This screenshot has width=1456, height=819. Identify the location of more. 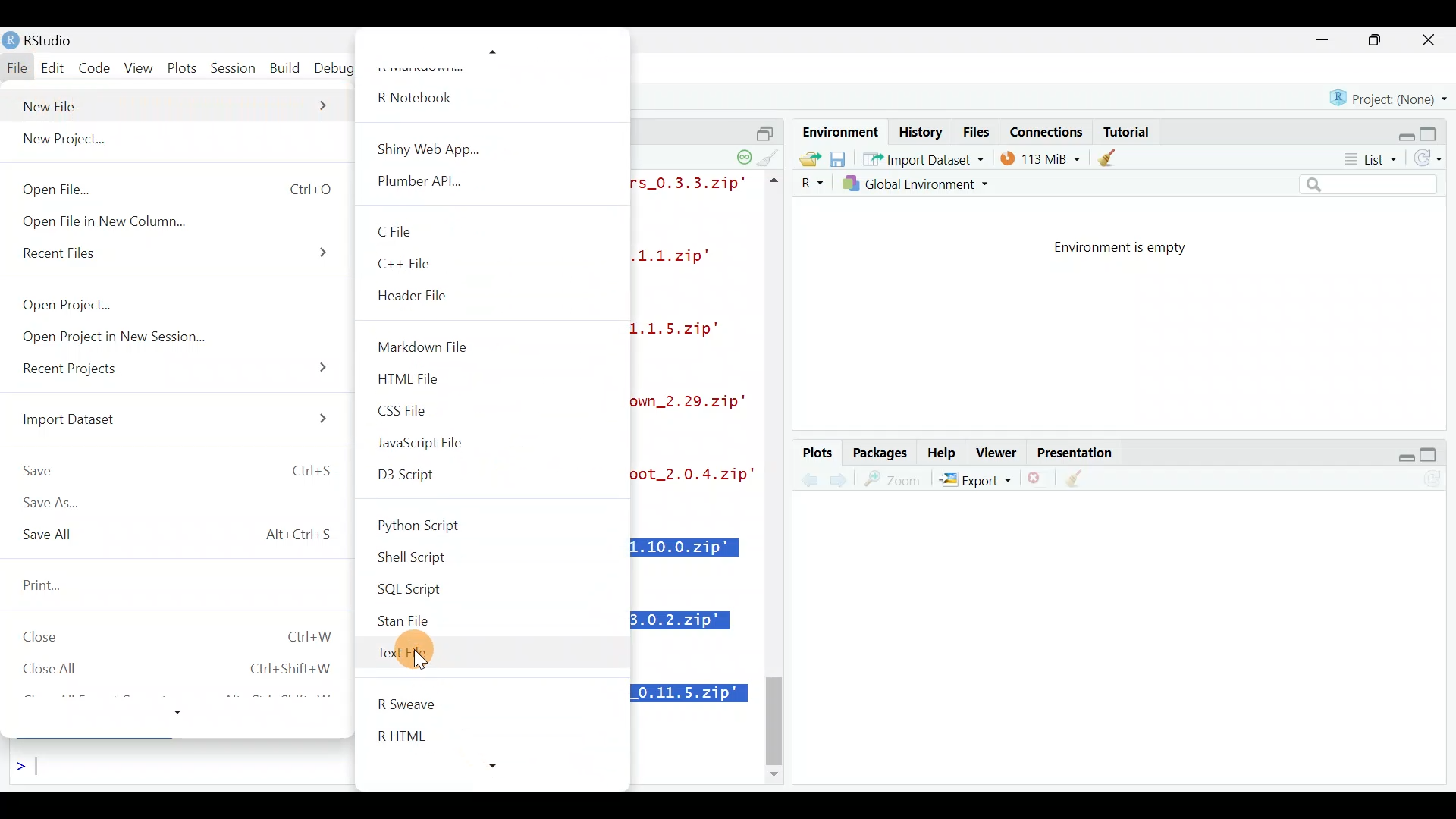
(491, 51).